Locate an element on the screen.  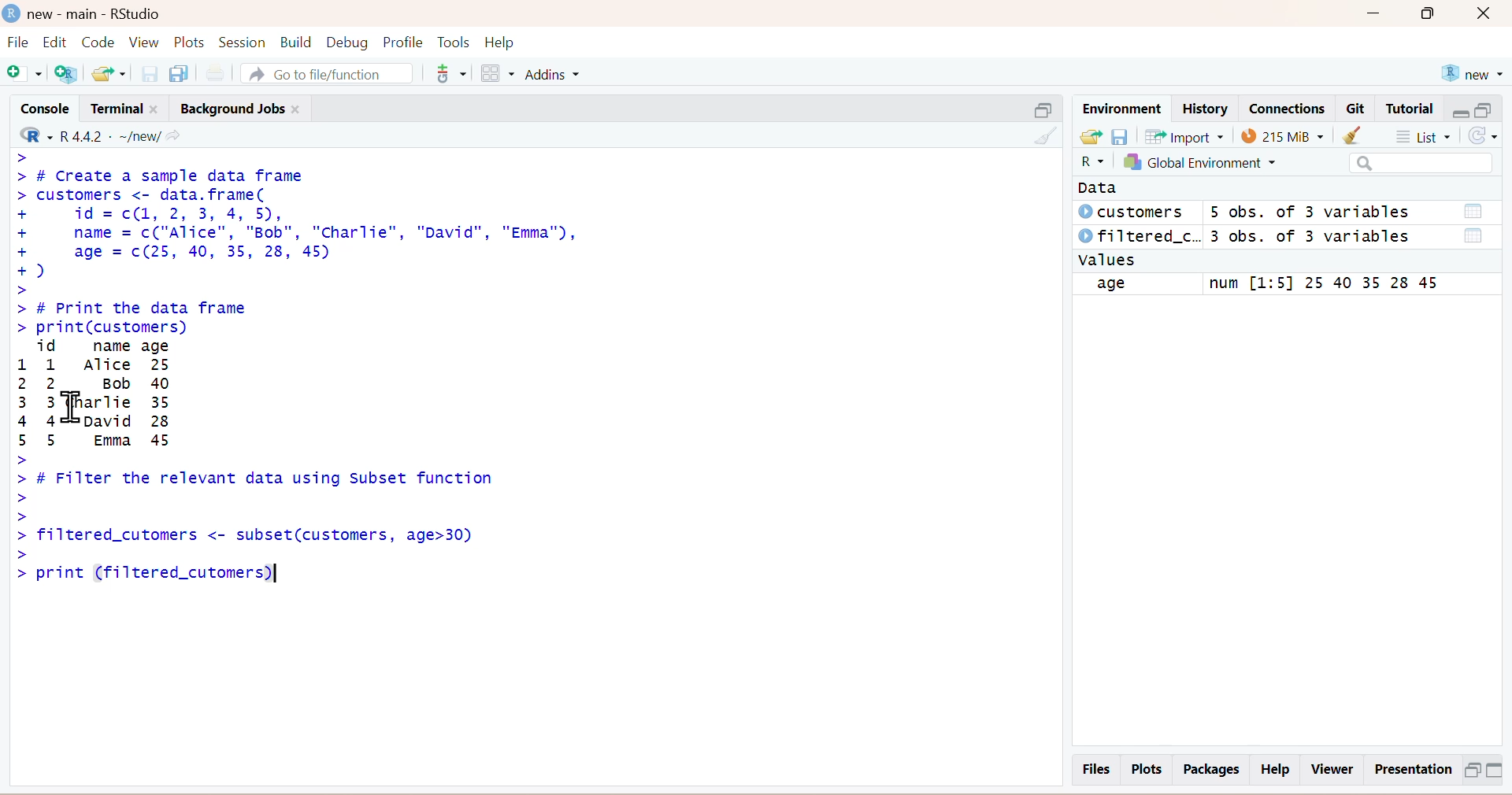
Data is located at coordinates (1099, 189).